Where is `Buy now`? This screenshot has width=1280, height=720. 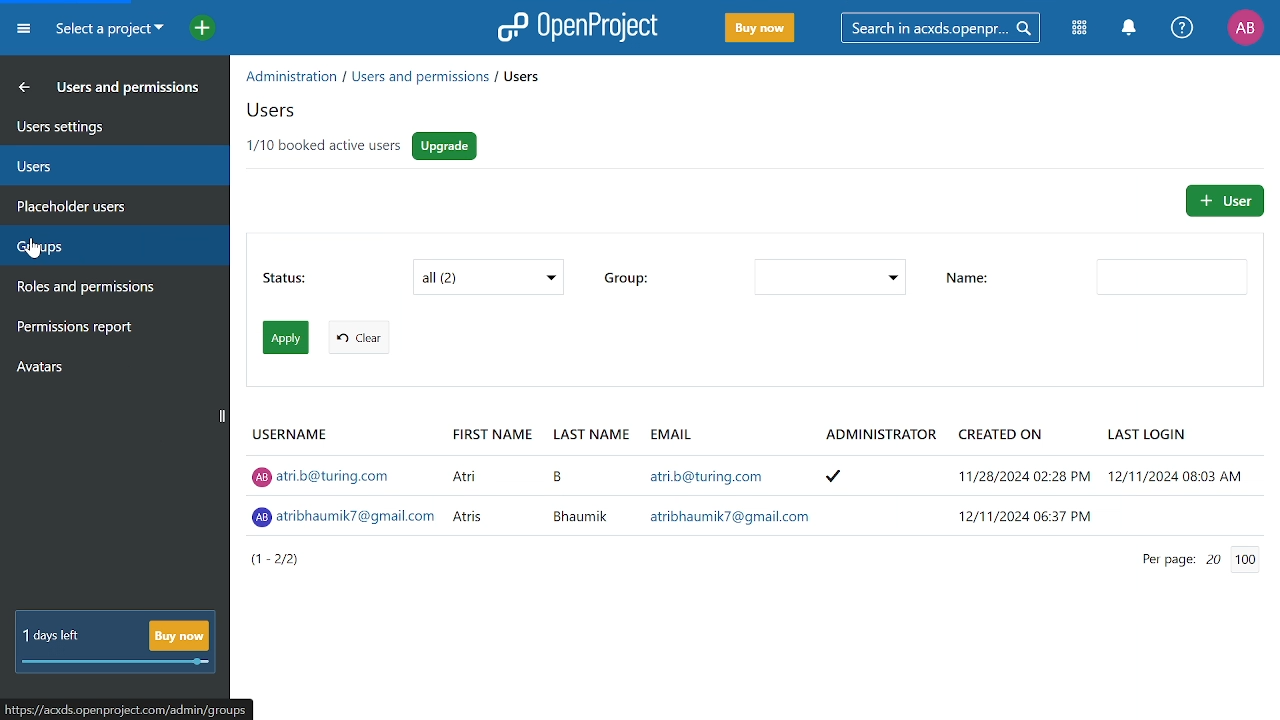
Buy now is located at coordinates (758, 29).